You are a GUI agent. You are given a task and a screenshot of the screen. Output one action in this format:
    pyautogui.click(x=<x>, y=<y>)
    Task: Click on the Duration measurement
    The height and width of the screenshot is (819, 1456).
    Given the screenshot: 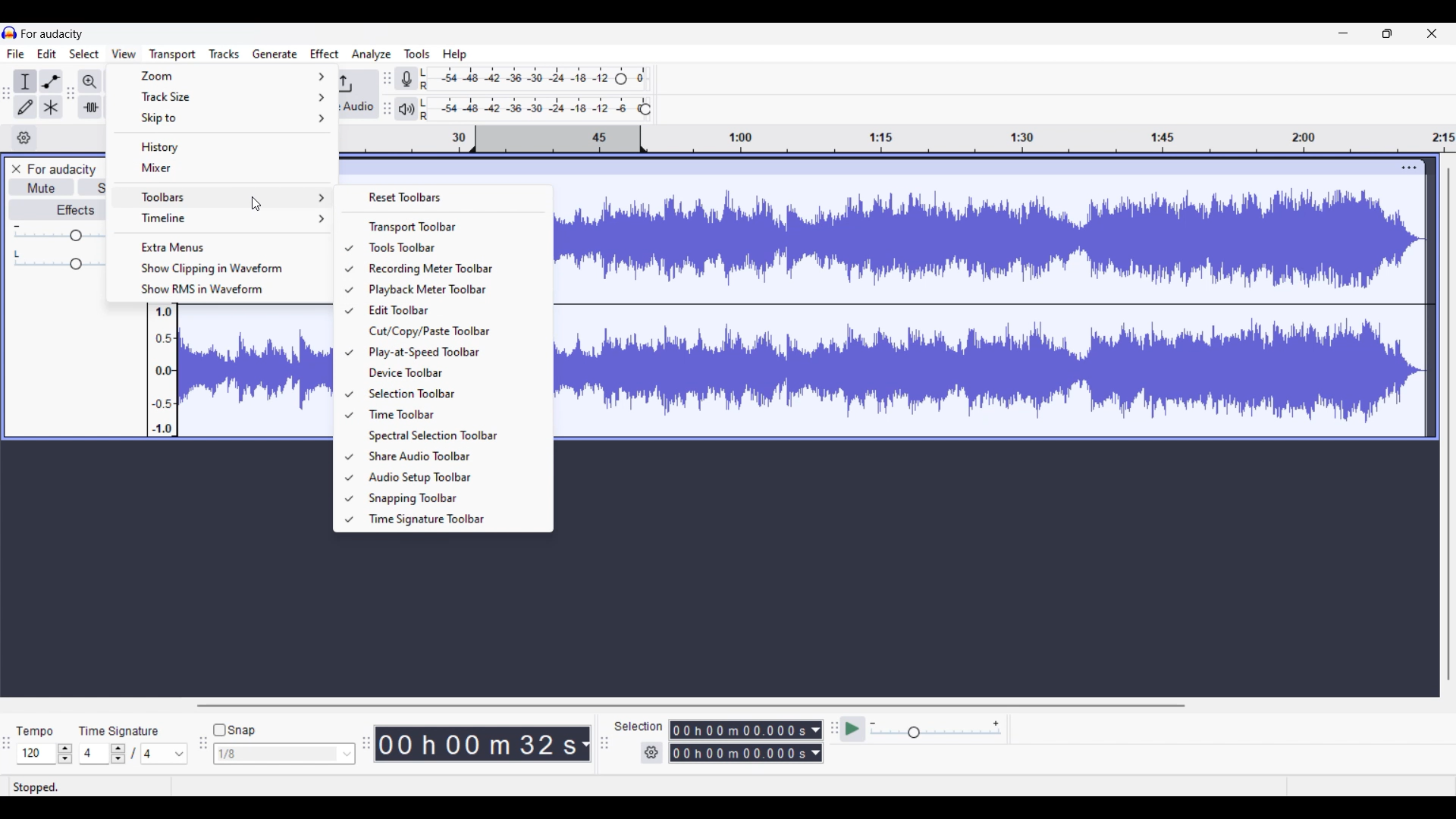 What is the action you would take?
    pyautogui.click(x=585, y=743)
    